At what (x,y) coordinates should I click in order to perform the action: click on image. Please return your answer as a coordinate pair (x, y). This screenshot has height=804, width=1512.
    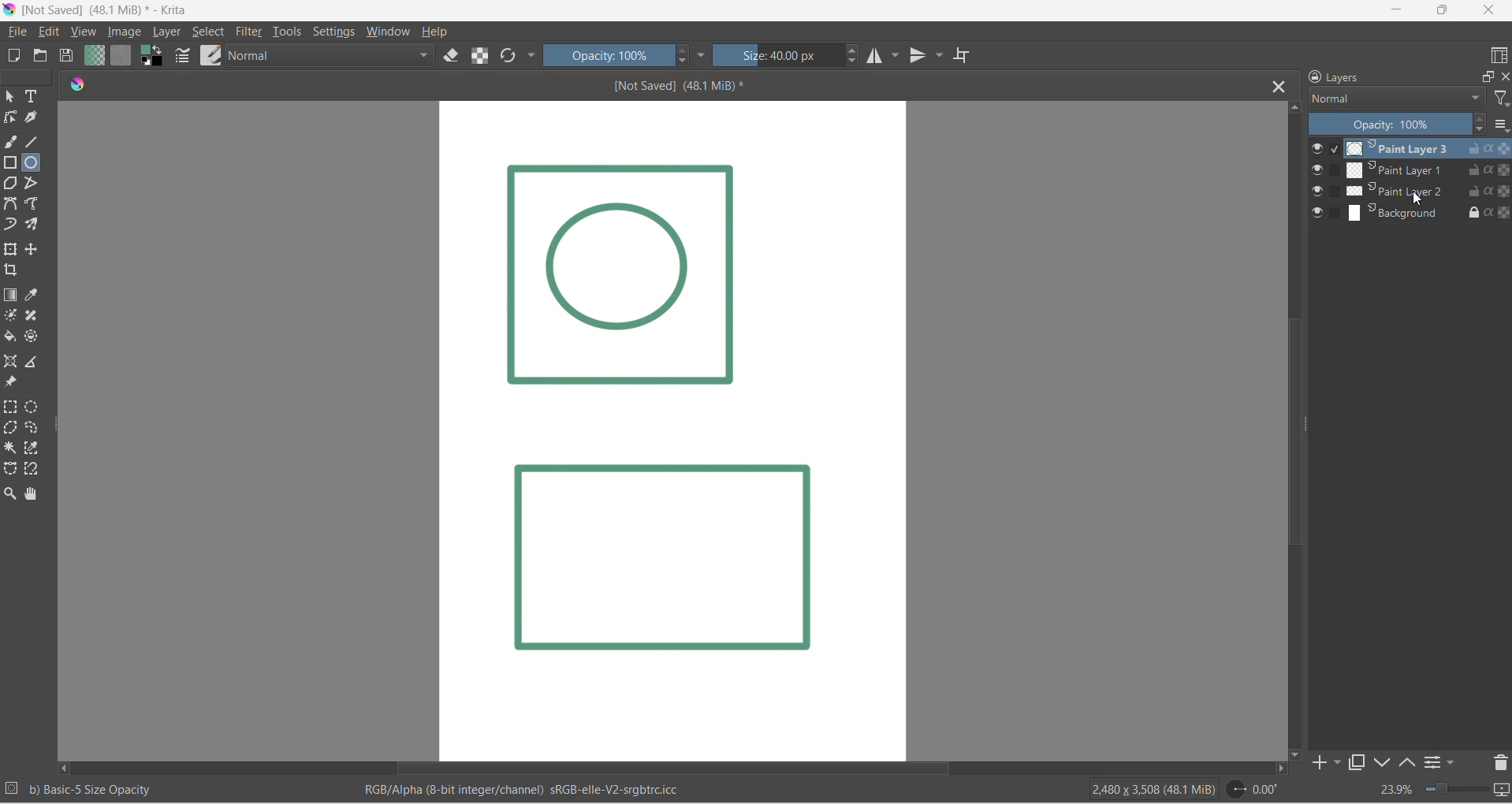
    Looking at the image, I should click on (130, 33).